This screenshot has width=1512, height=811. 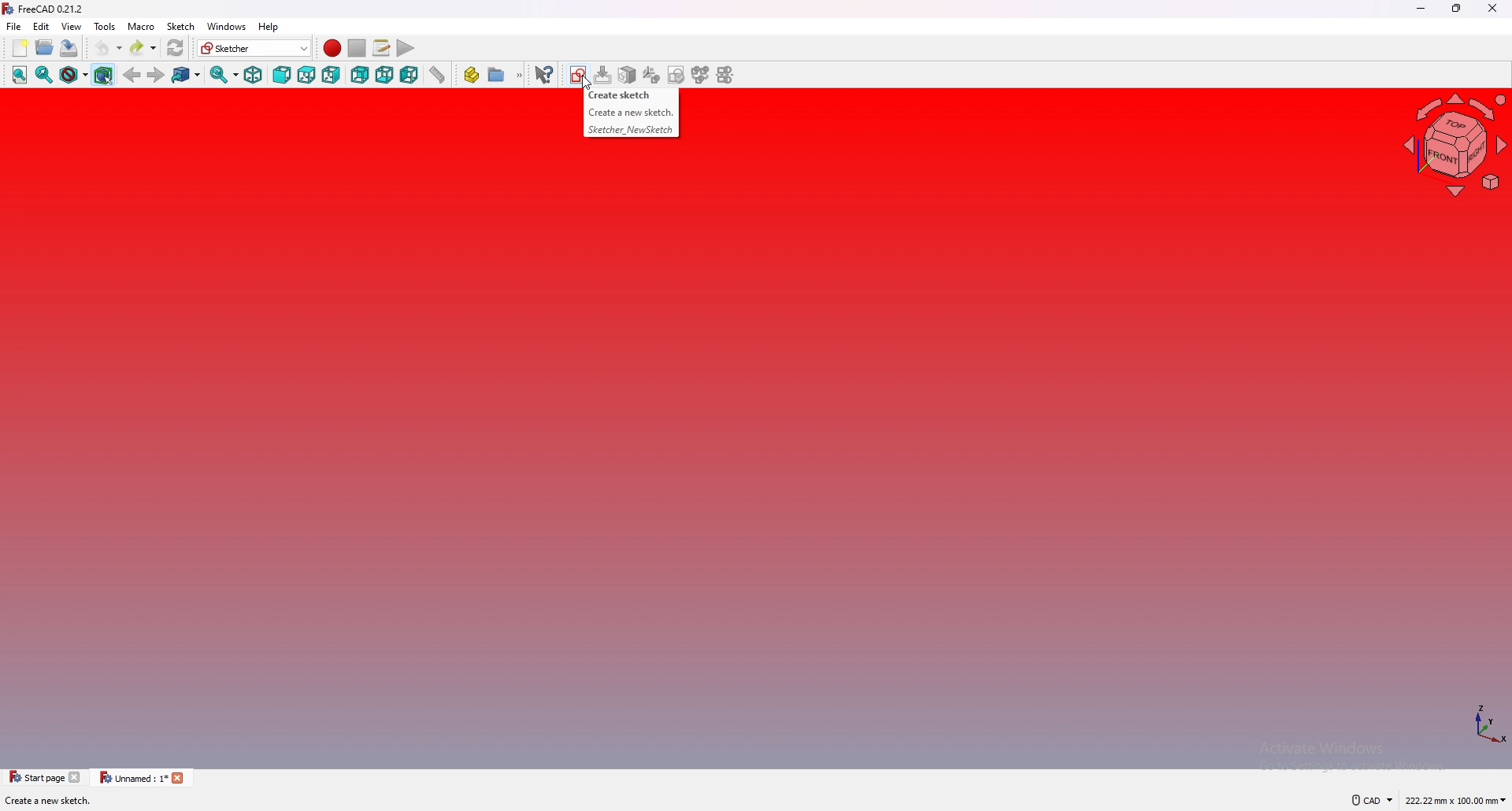 I want to click on freecad, so click(x=46, y=9).